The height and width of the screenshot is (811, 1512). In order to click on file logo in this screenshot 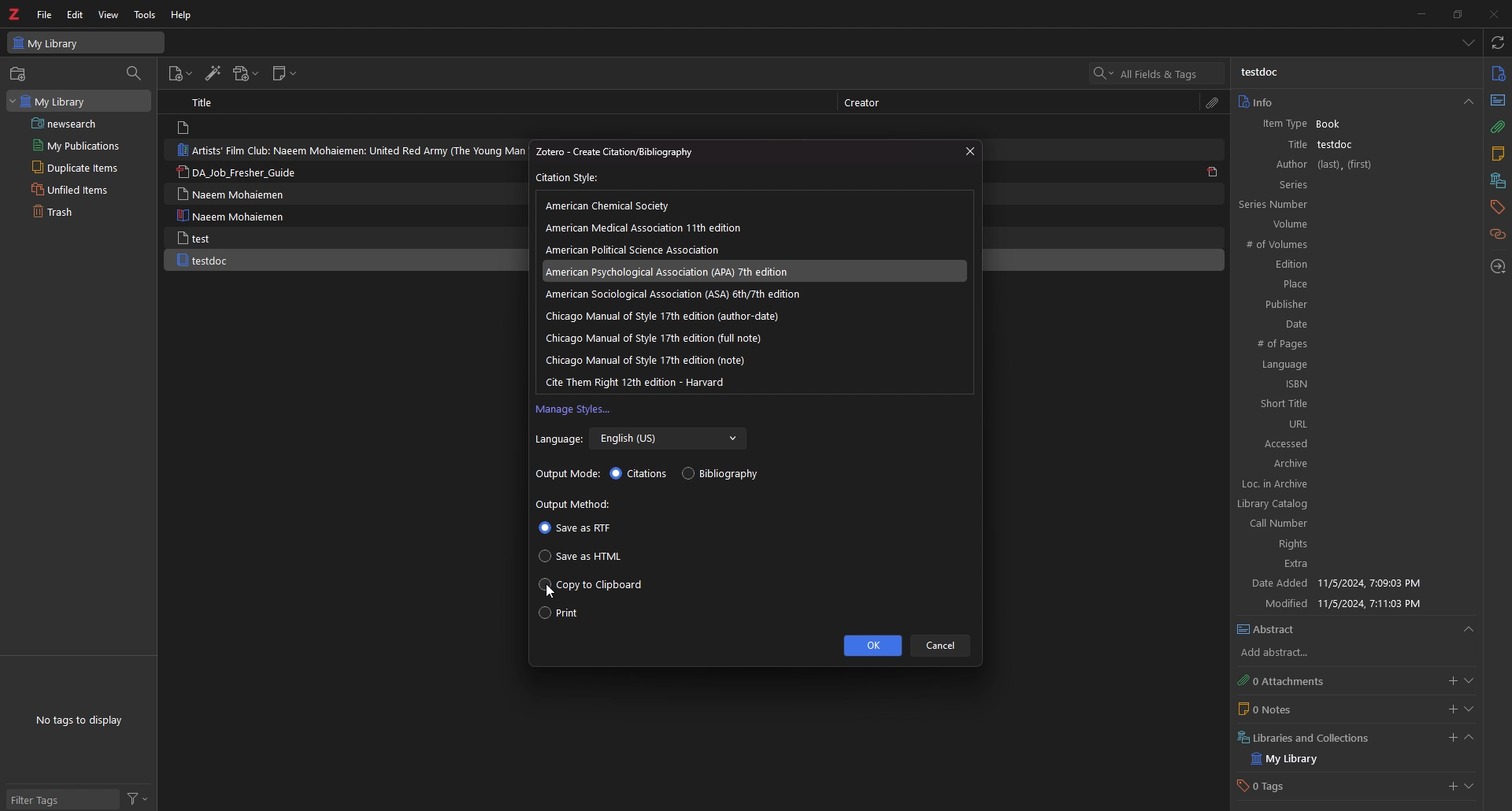, I will do `click(186, 128)`.